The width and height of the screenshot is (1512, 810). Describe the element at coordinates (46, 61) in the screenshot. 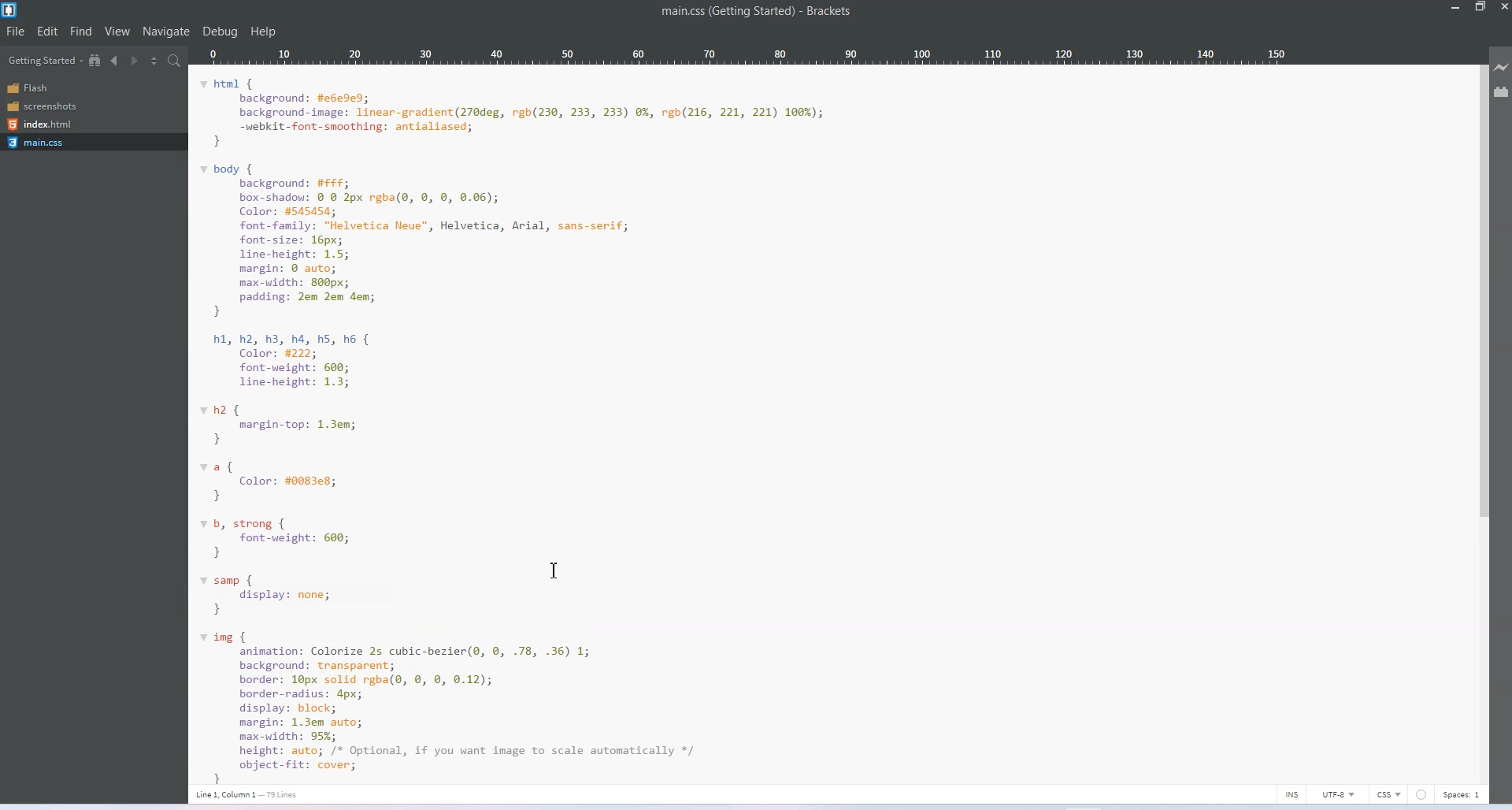

I see `Getting Started` at that location.